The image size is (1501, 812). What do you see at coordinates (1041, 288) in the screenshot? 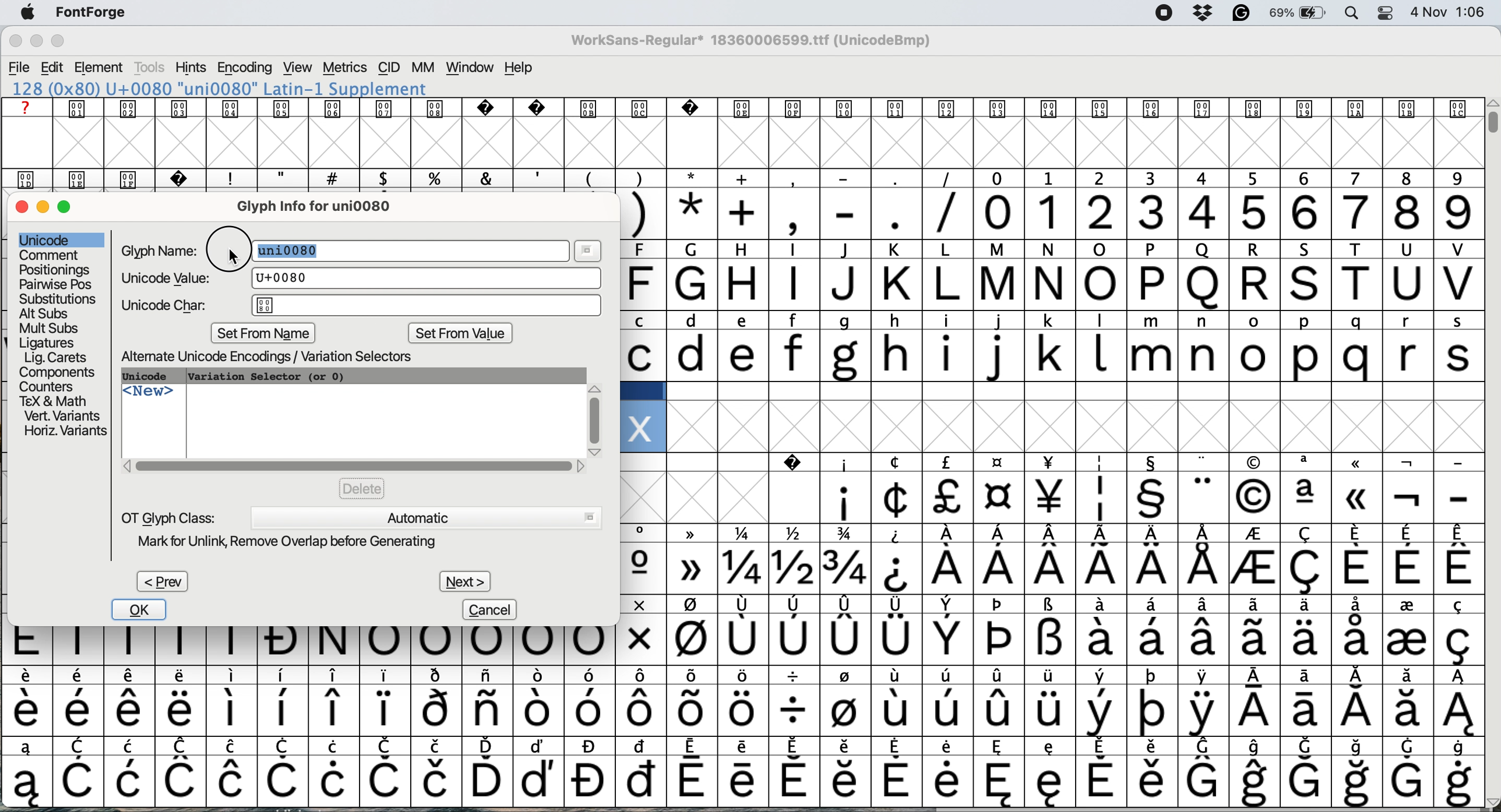
I see `capital letters a to v` at bounding box center [1041, 288].